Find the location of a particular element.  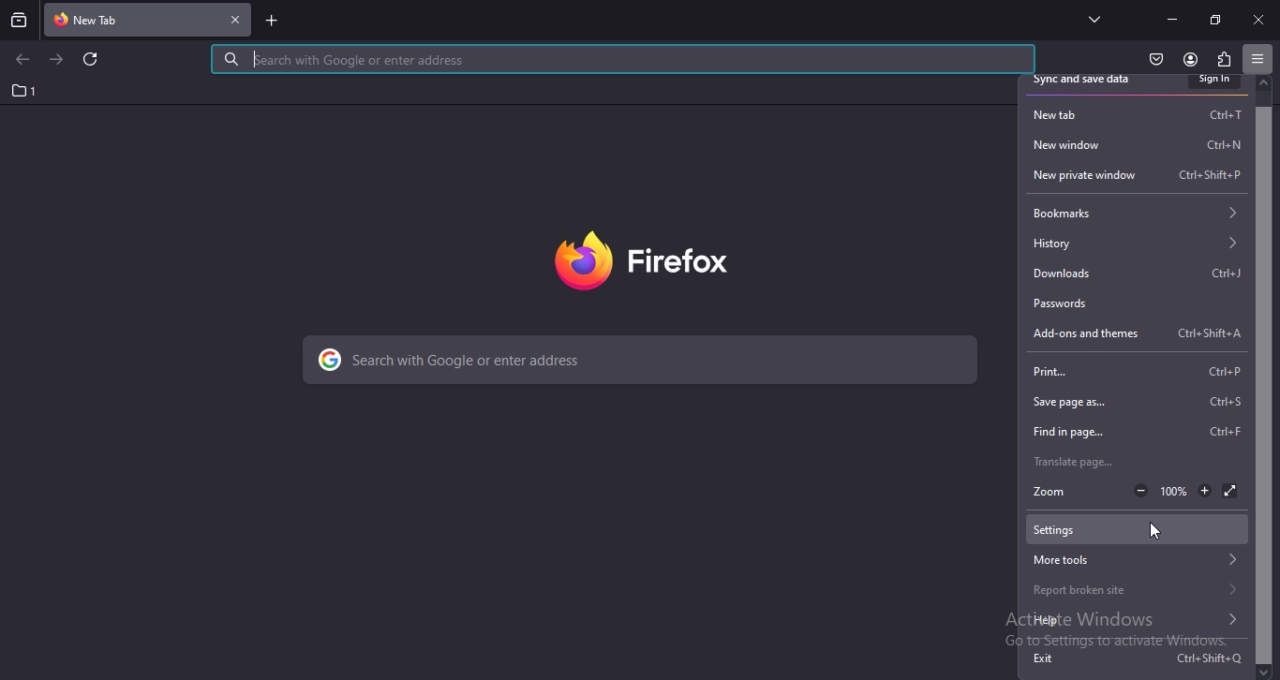

open application menu is located at coordinates (1255, 59).